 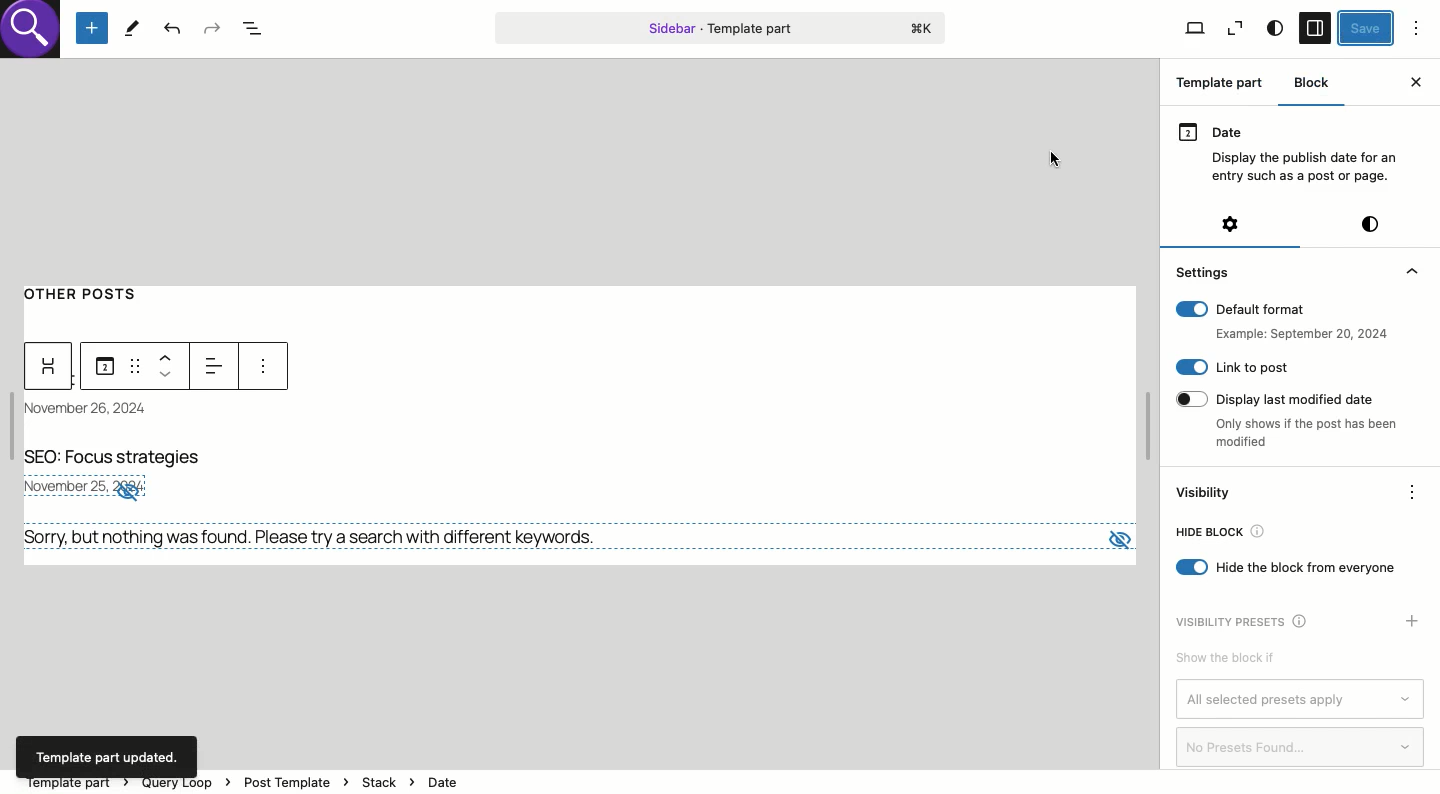 What do you see at coordinates (121, 459) in the screenshot?
I see `Title` at bounding box center [121, 459].